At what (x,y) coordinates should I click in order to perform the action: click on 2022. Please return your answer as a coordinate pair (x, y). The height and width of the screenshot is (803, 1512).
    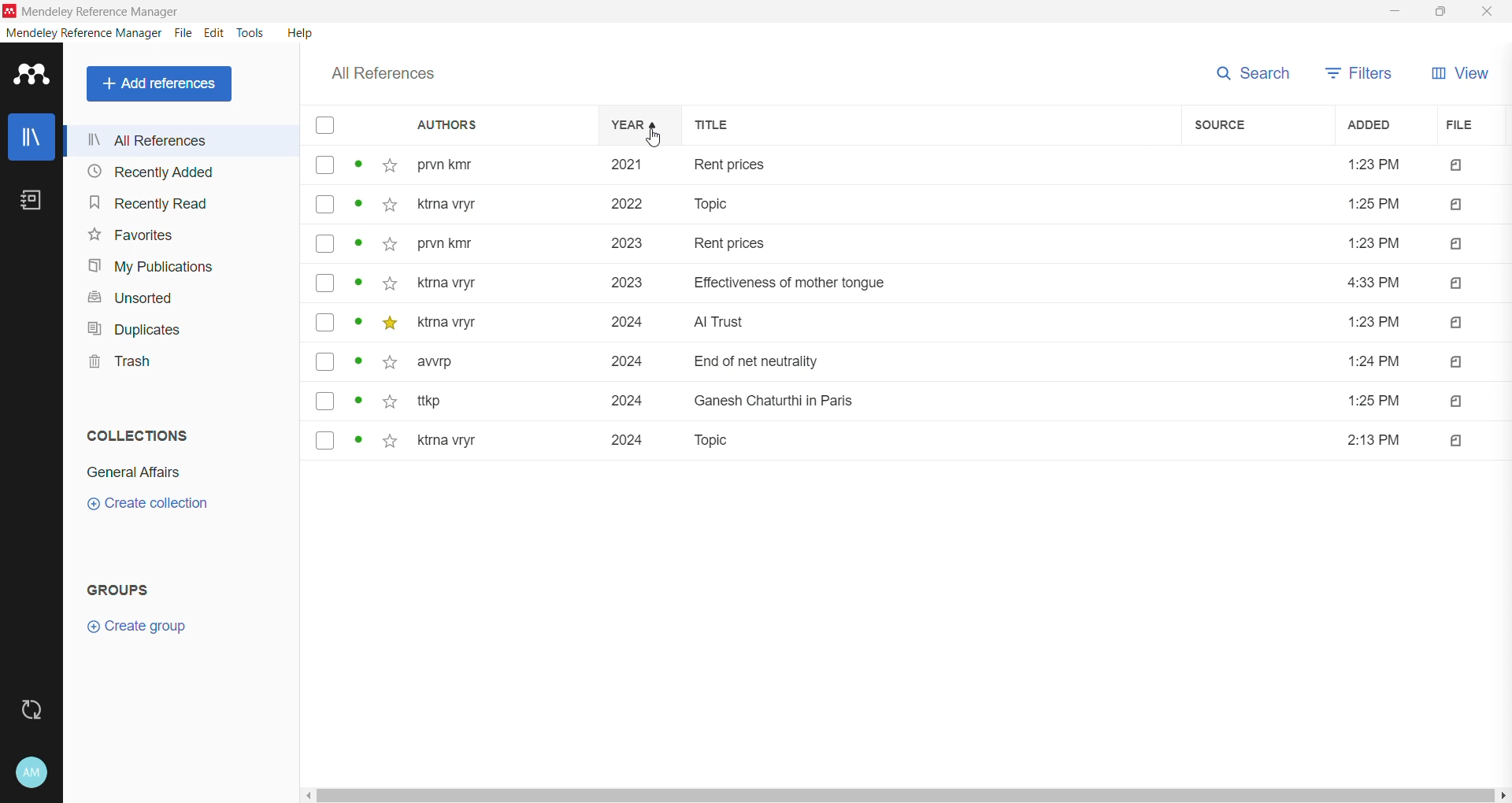
    Looking at the image, I should click on (628, 205).